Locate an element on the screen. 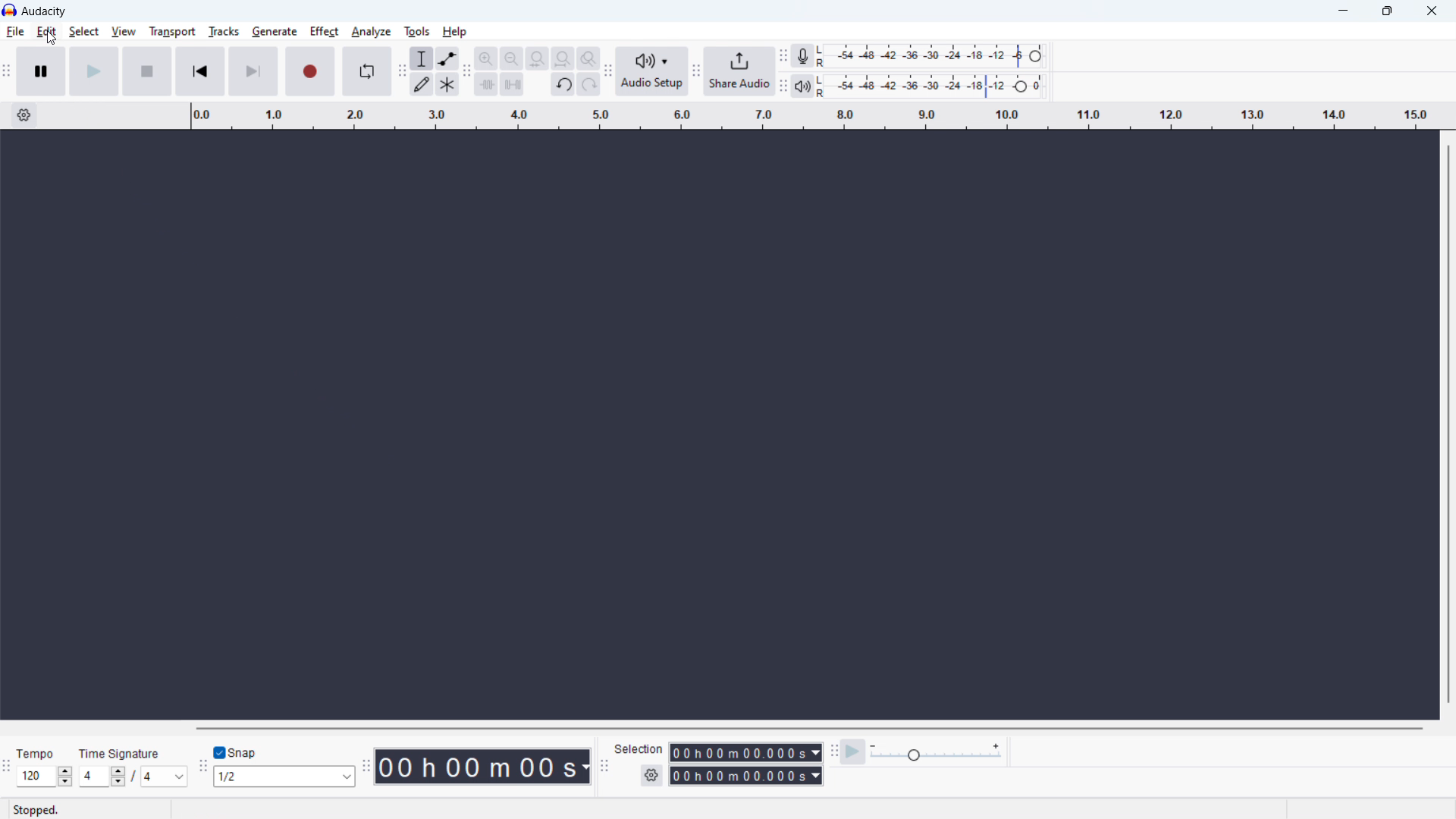 This screenshot has width=1456, height=819. Selection is located at coordinates (639, 748).